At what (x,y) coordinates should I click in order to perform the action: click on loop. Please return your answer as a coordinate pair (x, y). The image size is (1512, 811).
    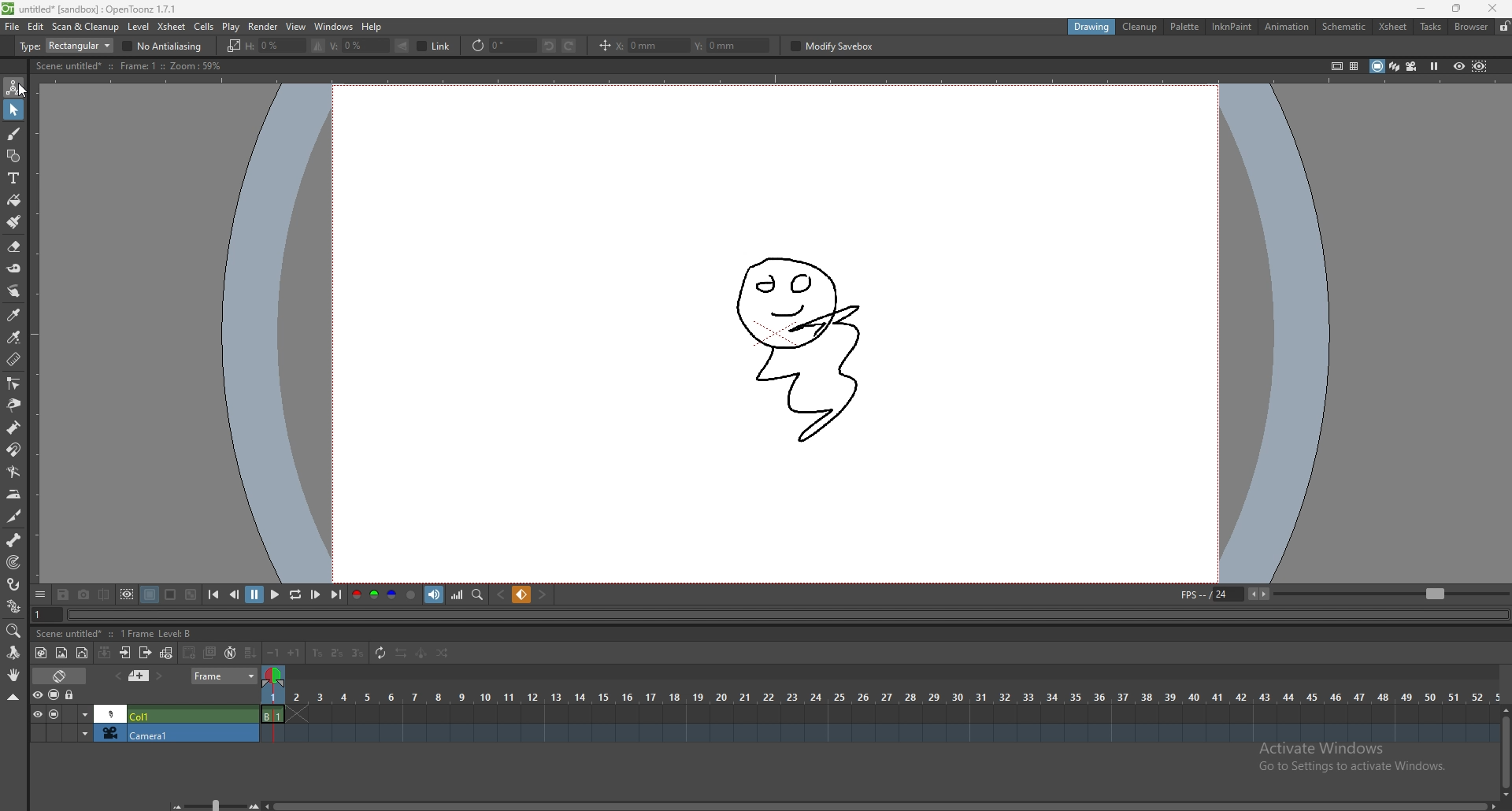
    Looking at the image, I should click on (295, 594).